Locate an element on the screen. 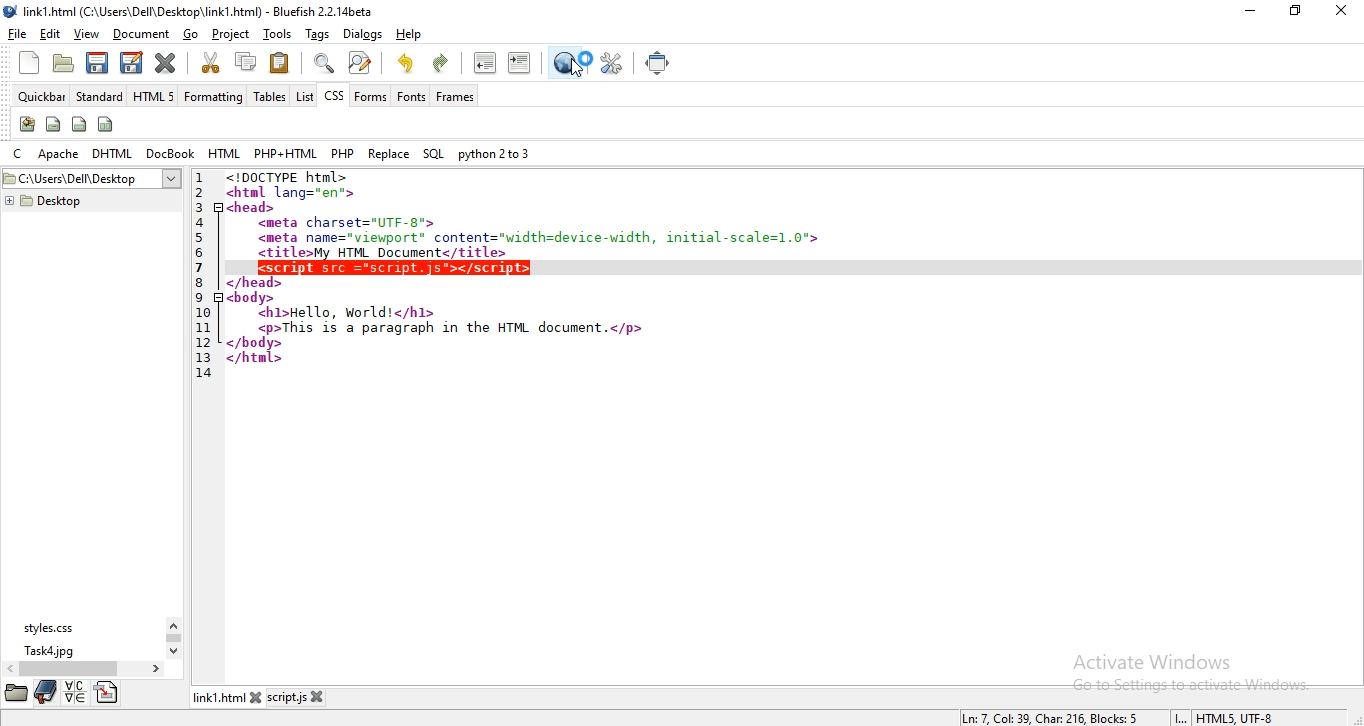  code is located at coordinates (471, 332).